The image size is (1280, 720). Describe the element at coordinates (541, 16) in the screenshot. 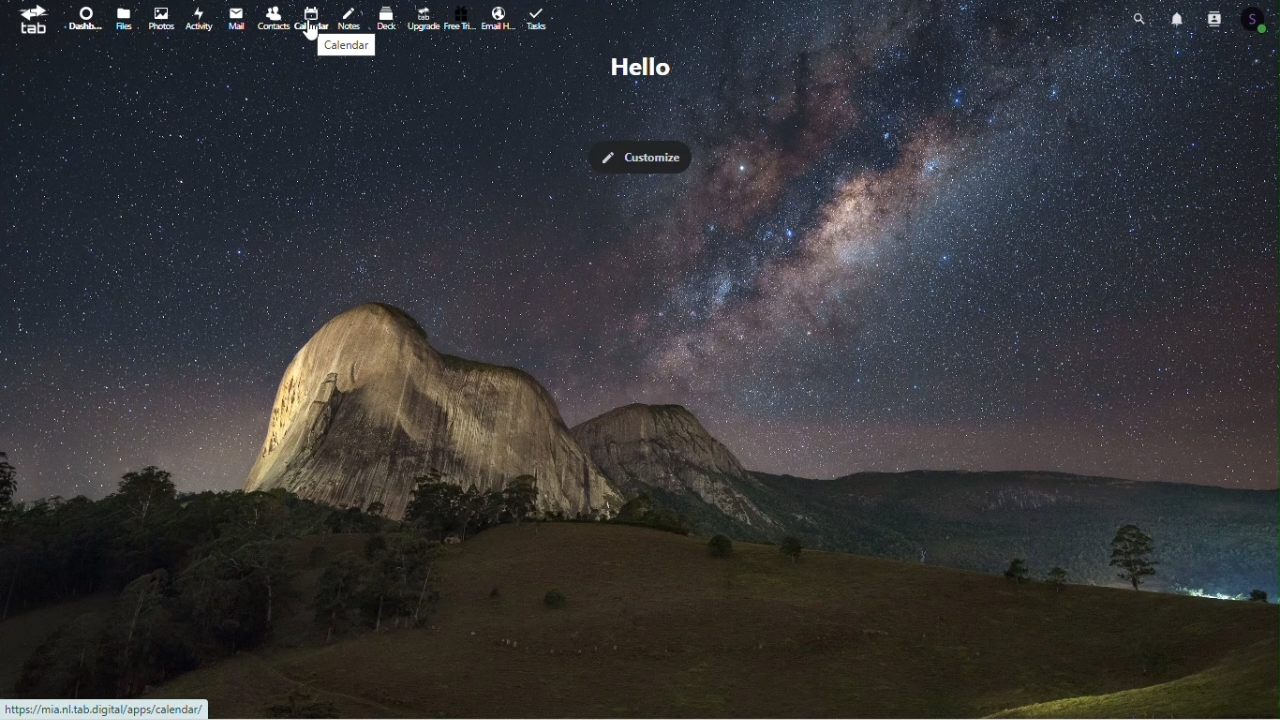

I see `Task` at that location.